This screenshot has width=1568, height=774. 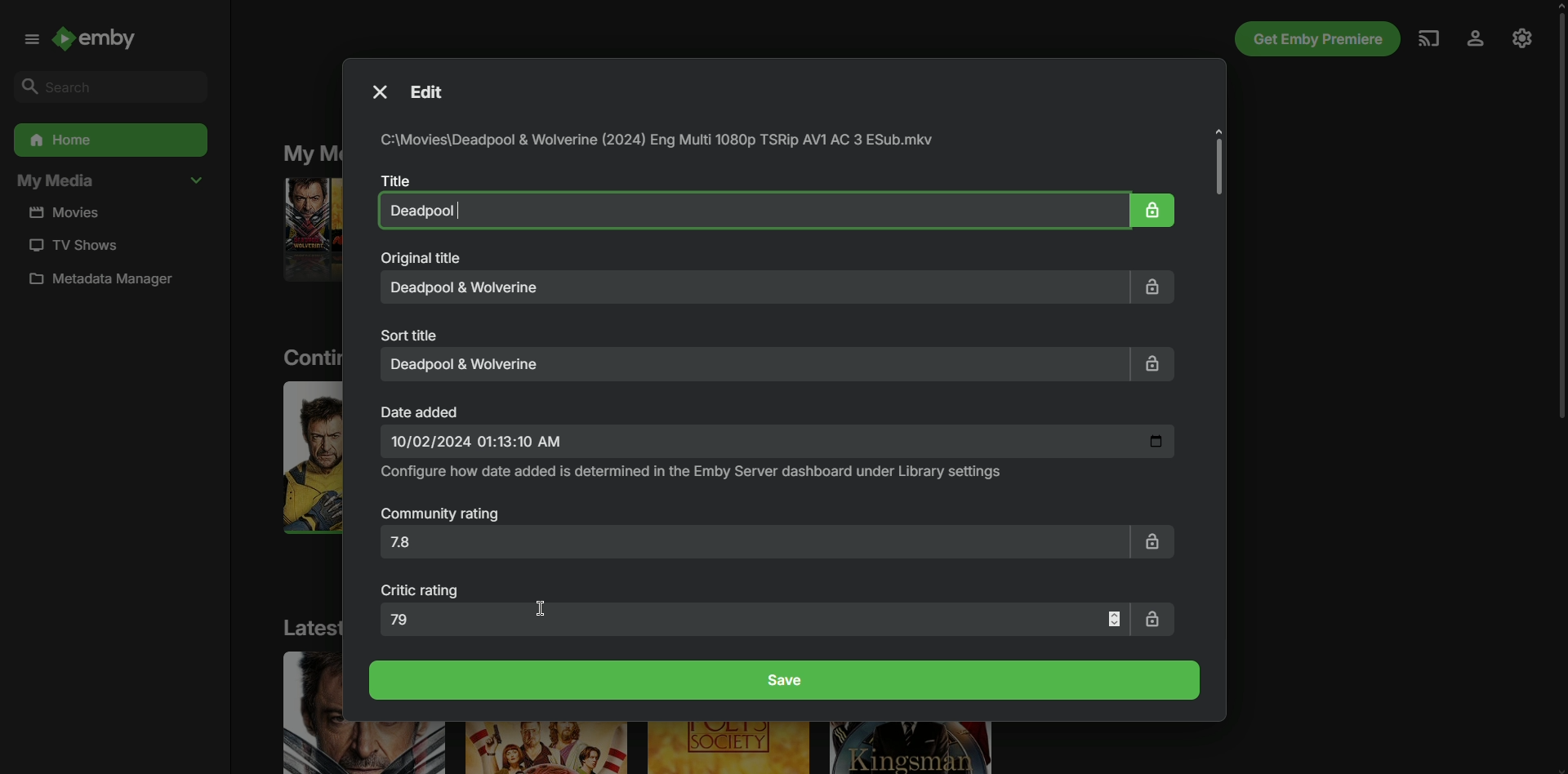 What do you see at coordinates (28, 39) in the screenshot?
I see `Menu` at bounding box center [28, 39].